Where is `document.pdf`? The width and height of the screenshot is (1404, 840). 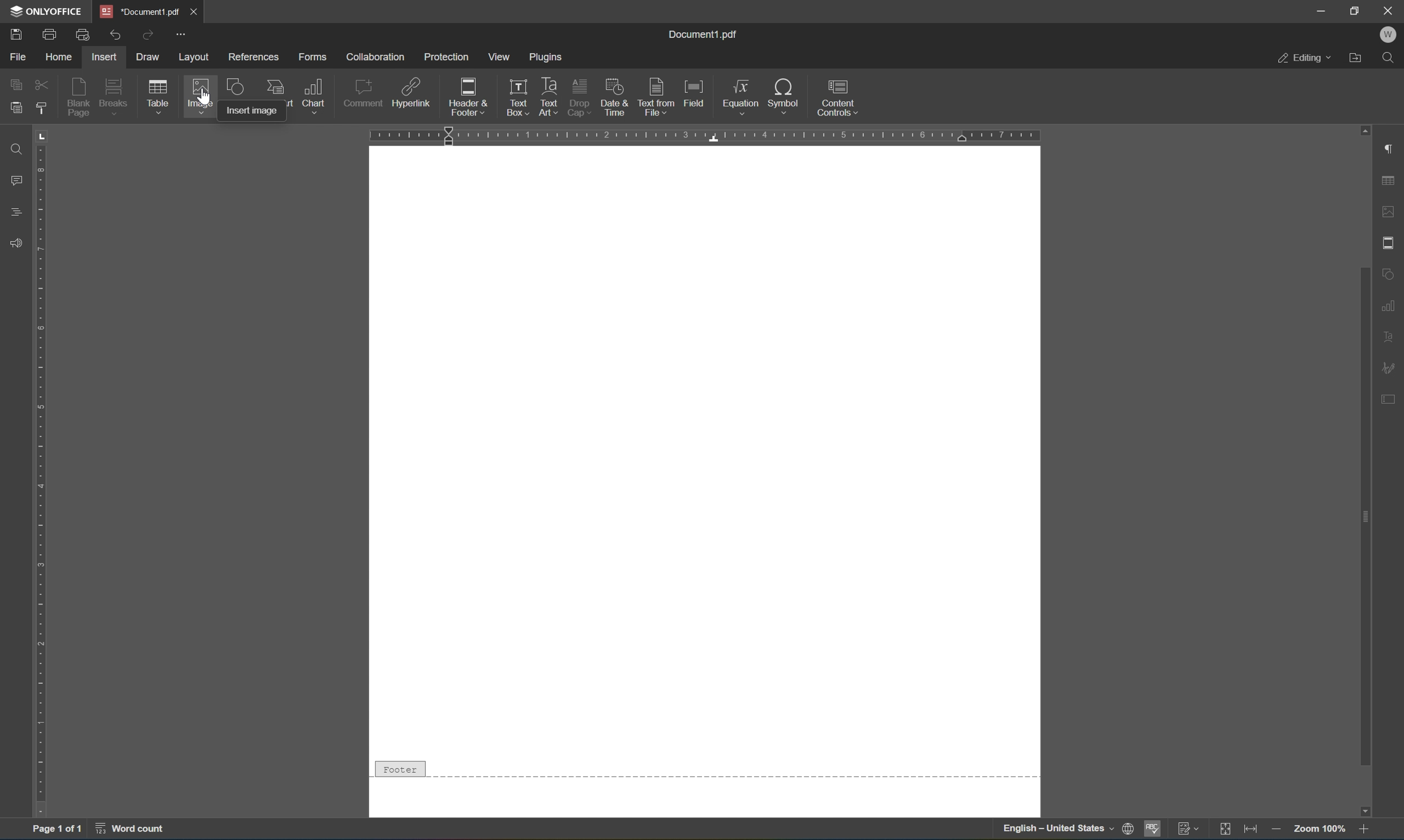
document.pdf is located at coordinates (140, 11).